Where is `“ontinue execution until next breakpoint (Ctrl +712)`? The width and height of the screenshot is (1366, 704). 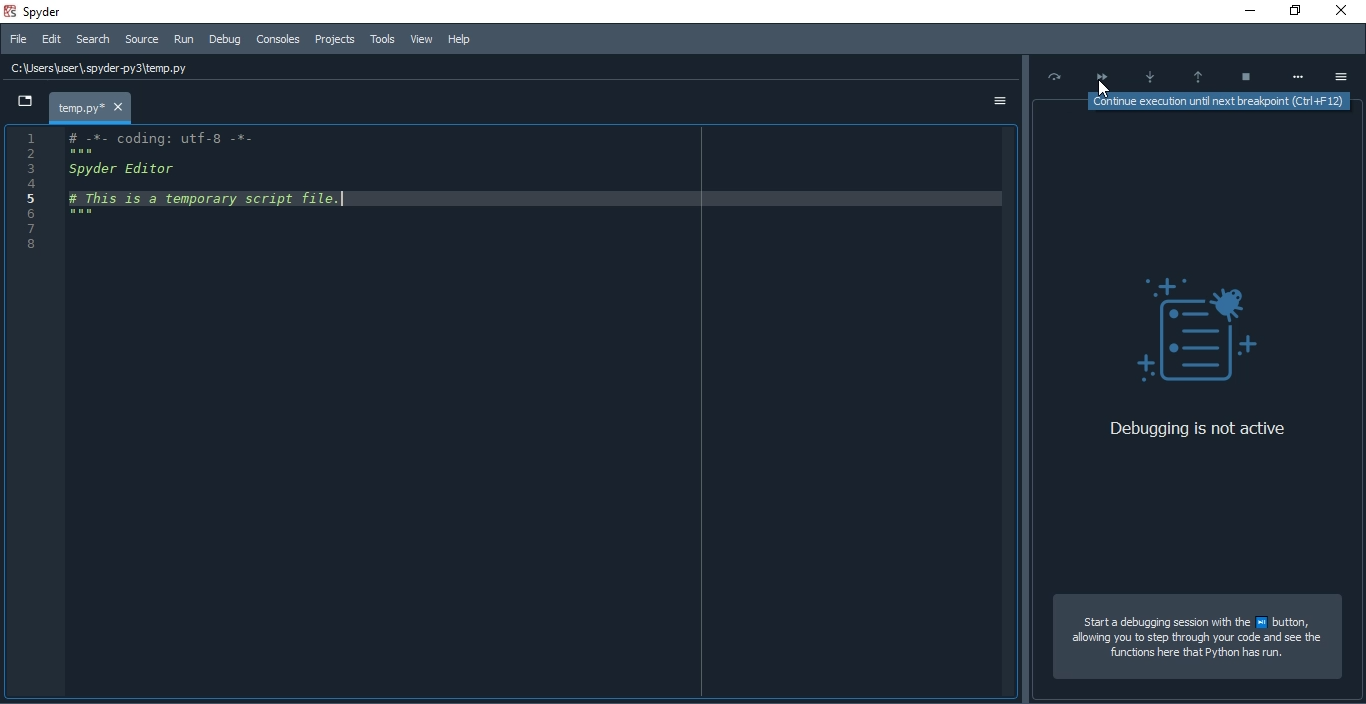 “ontinue execution until next breakpoint (Ctrl +712) is located at coordinates (1215, 102).